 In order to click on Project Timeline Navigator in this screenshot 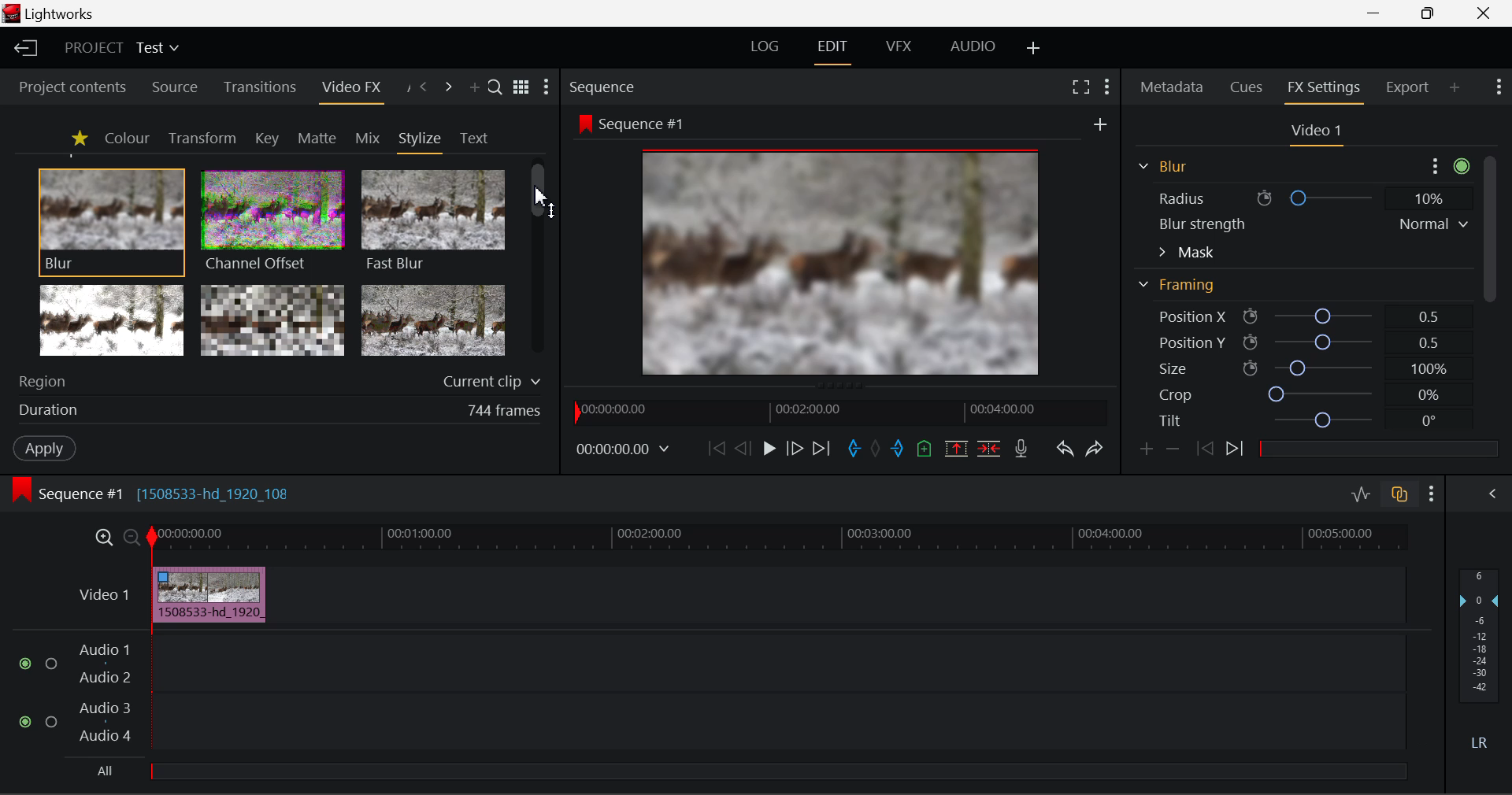, I will do `click(836, 412)`.